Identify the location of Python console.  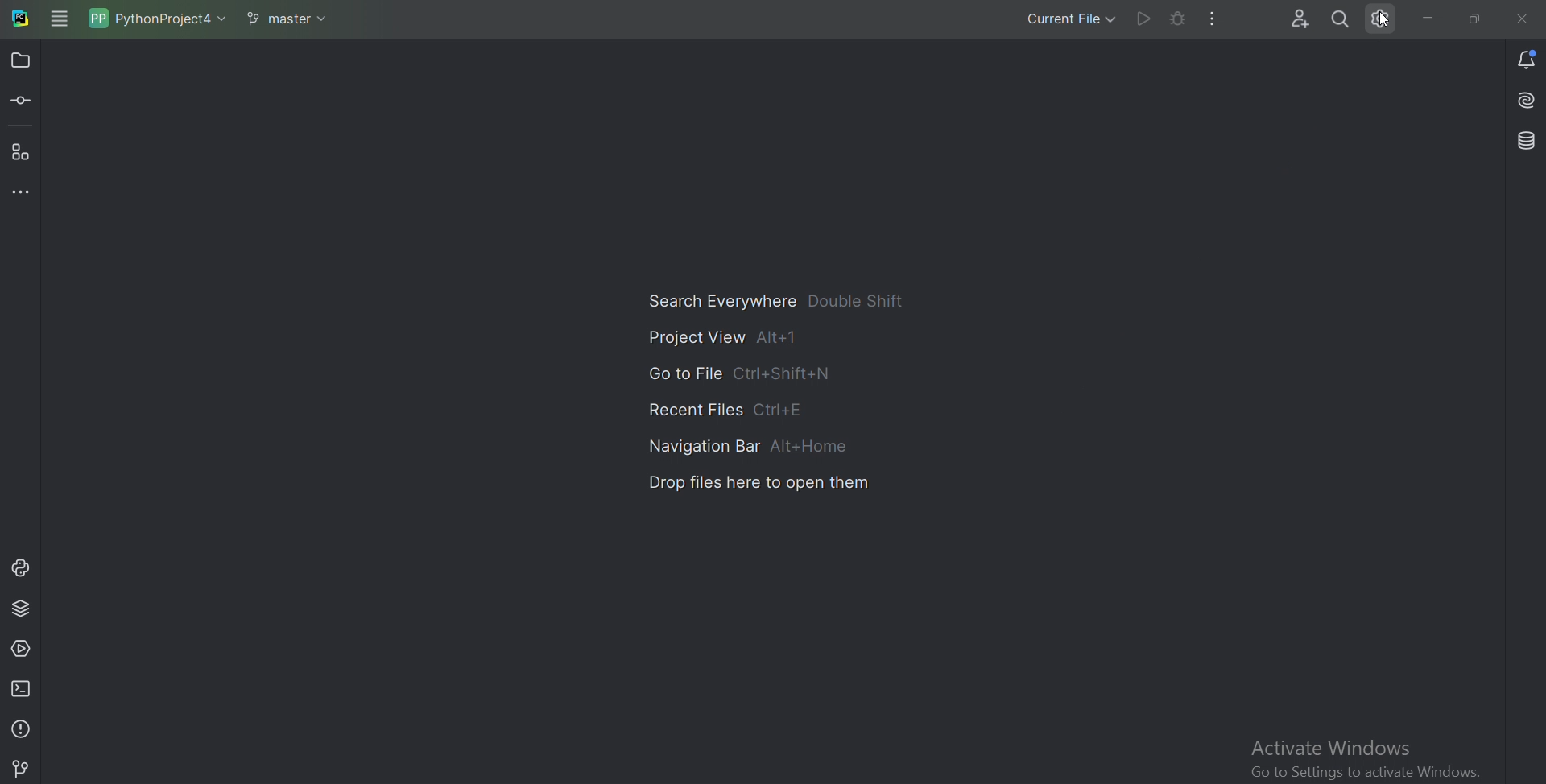
(22, 567).